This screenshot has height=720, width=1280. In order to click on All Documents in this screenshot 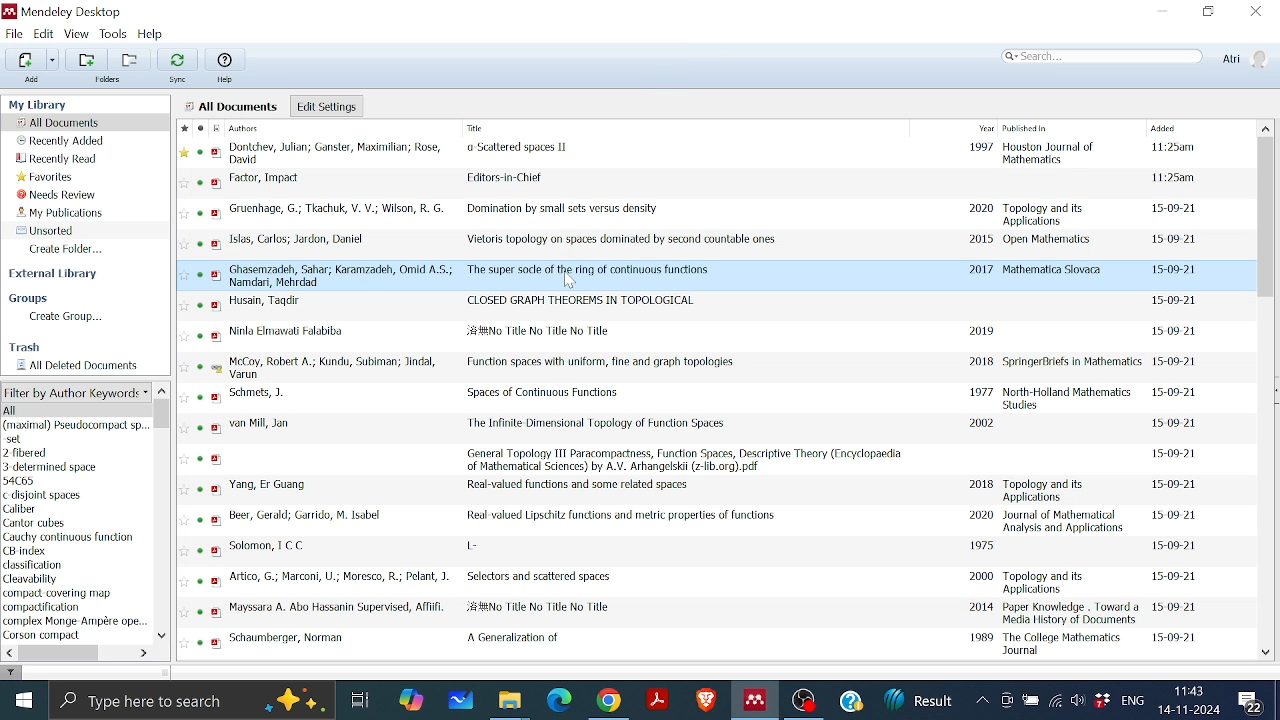, I will do `click(230, 107)`.